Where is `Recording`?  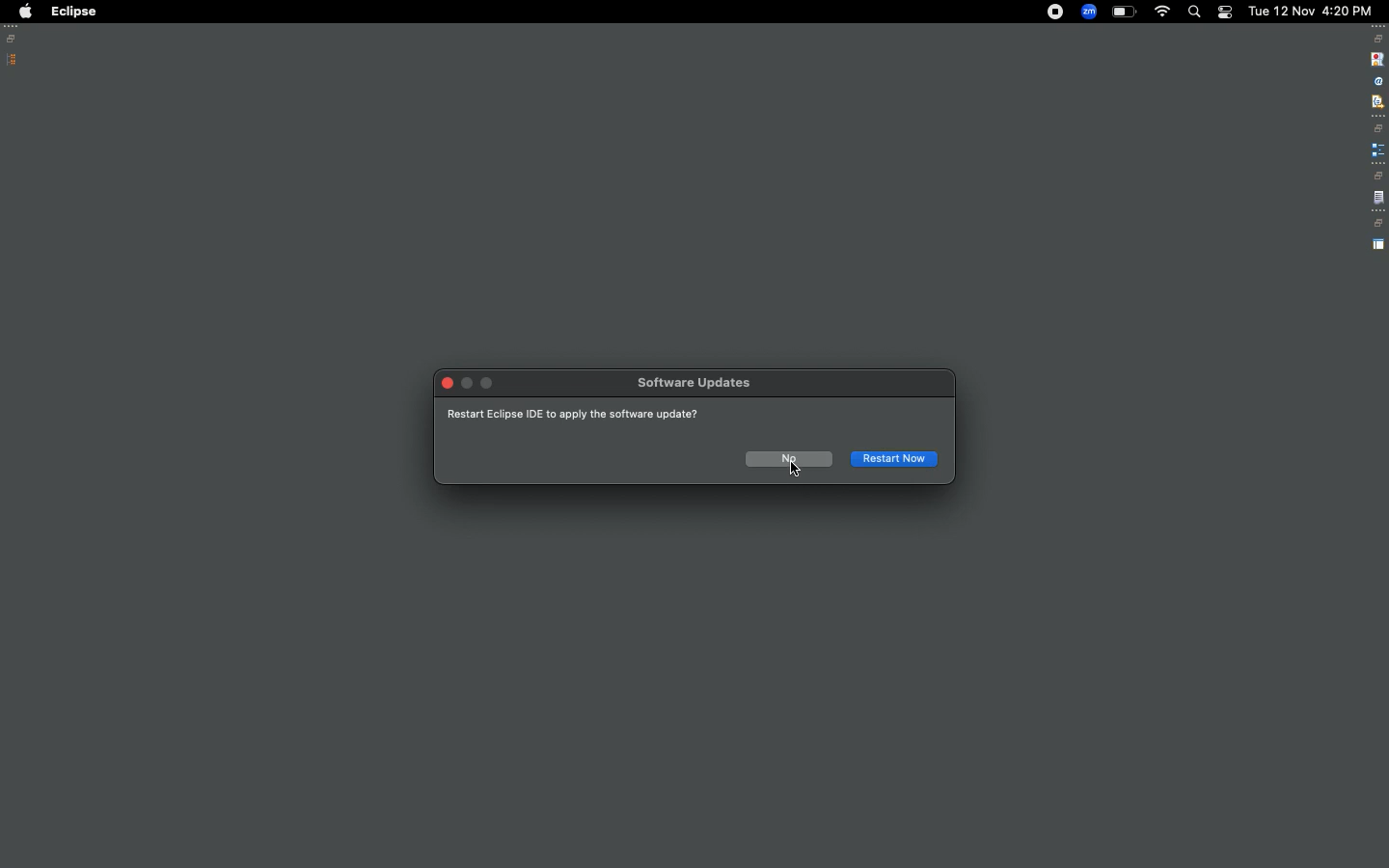
Recording is located at coordinates (1055, 14).